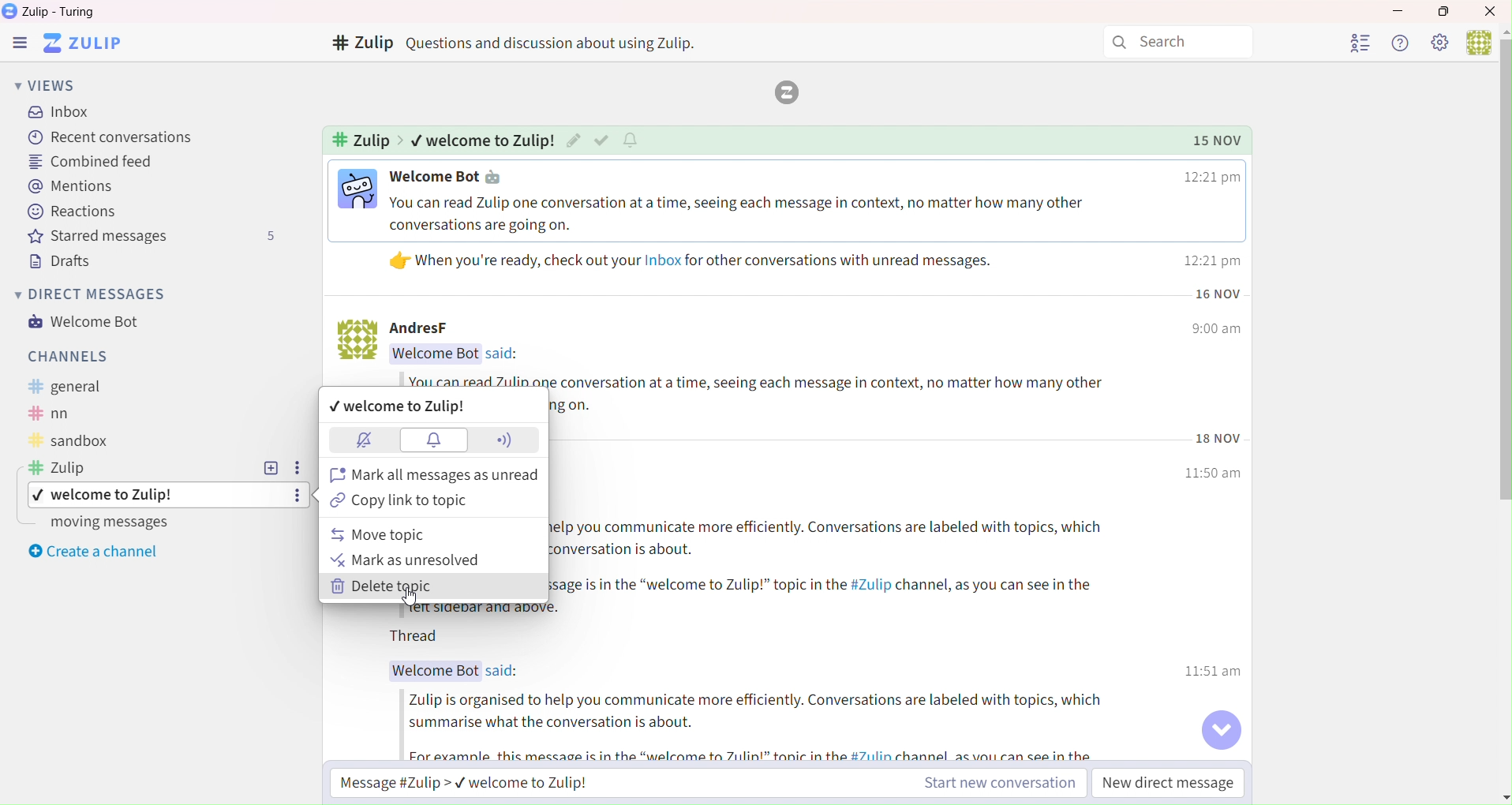 The width and height of the screenshot is (1512, 805). What do you see at coordinates (69, 413) in the screenshot?
I see `Text` at bounding box center [69, 413].